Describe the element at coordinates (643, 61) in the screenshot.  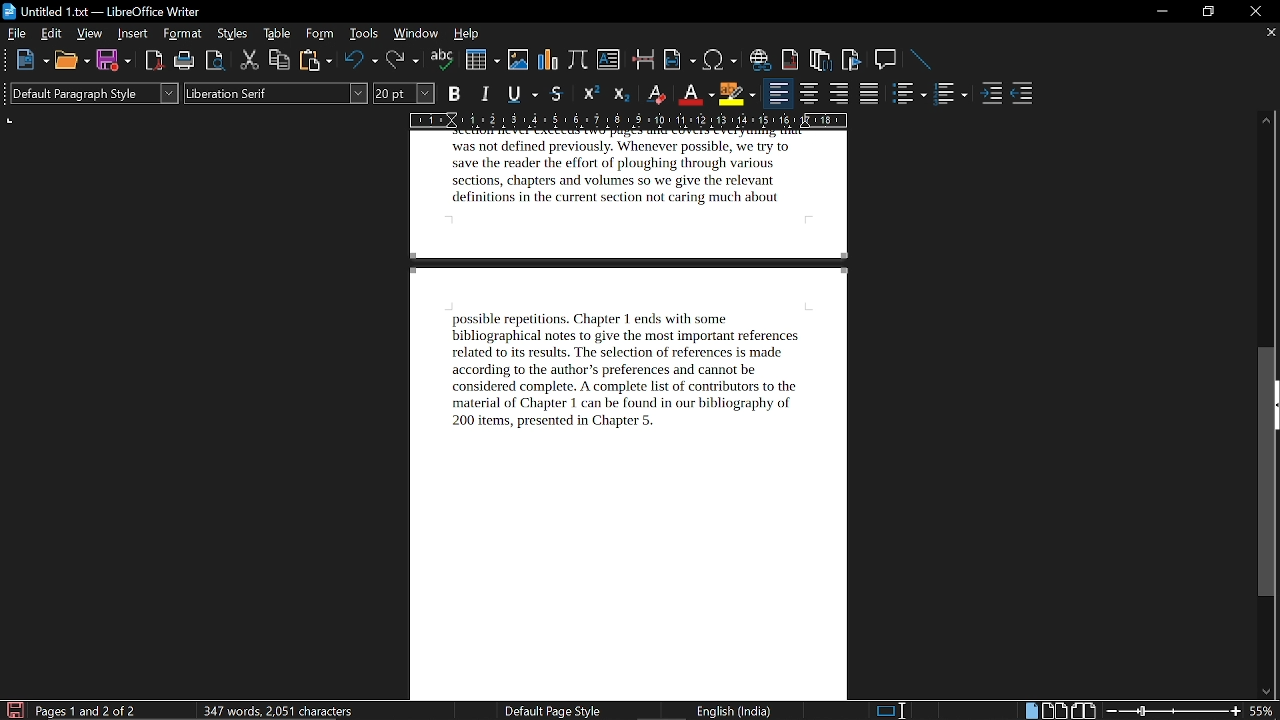
I see `insert page break` at that location.